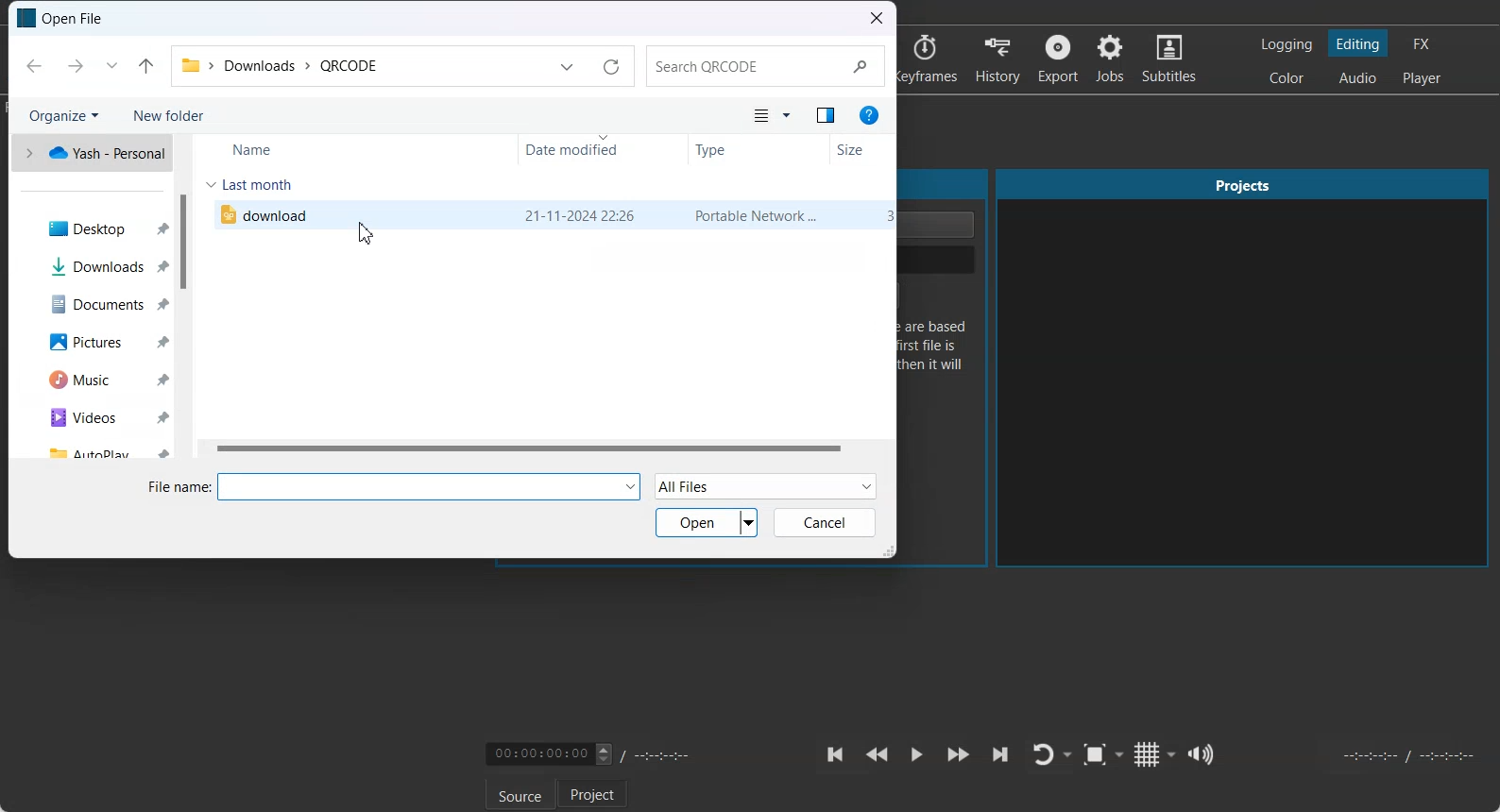  Describe the element at coordinates (1170, 59) in the screenshot. I see `Subtitles` at that location.